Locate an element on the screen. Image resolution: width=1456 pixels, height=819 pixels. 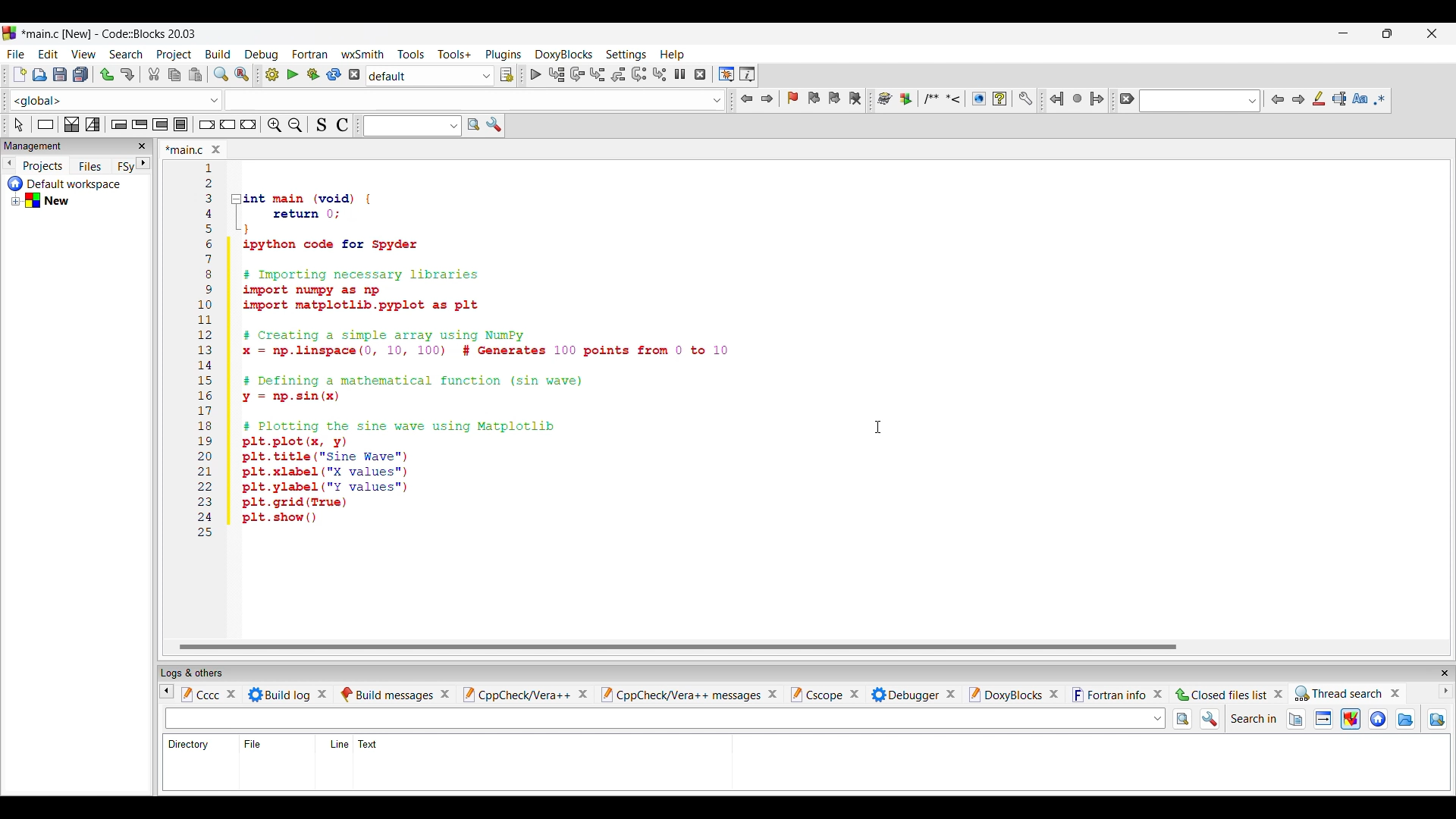
Copy is located at coordinates (175, 75).